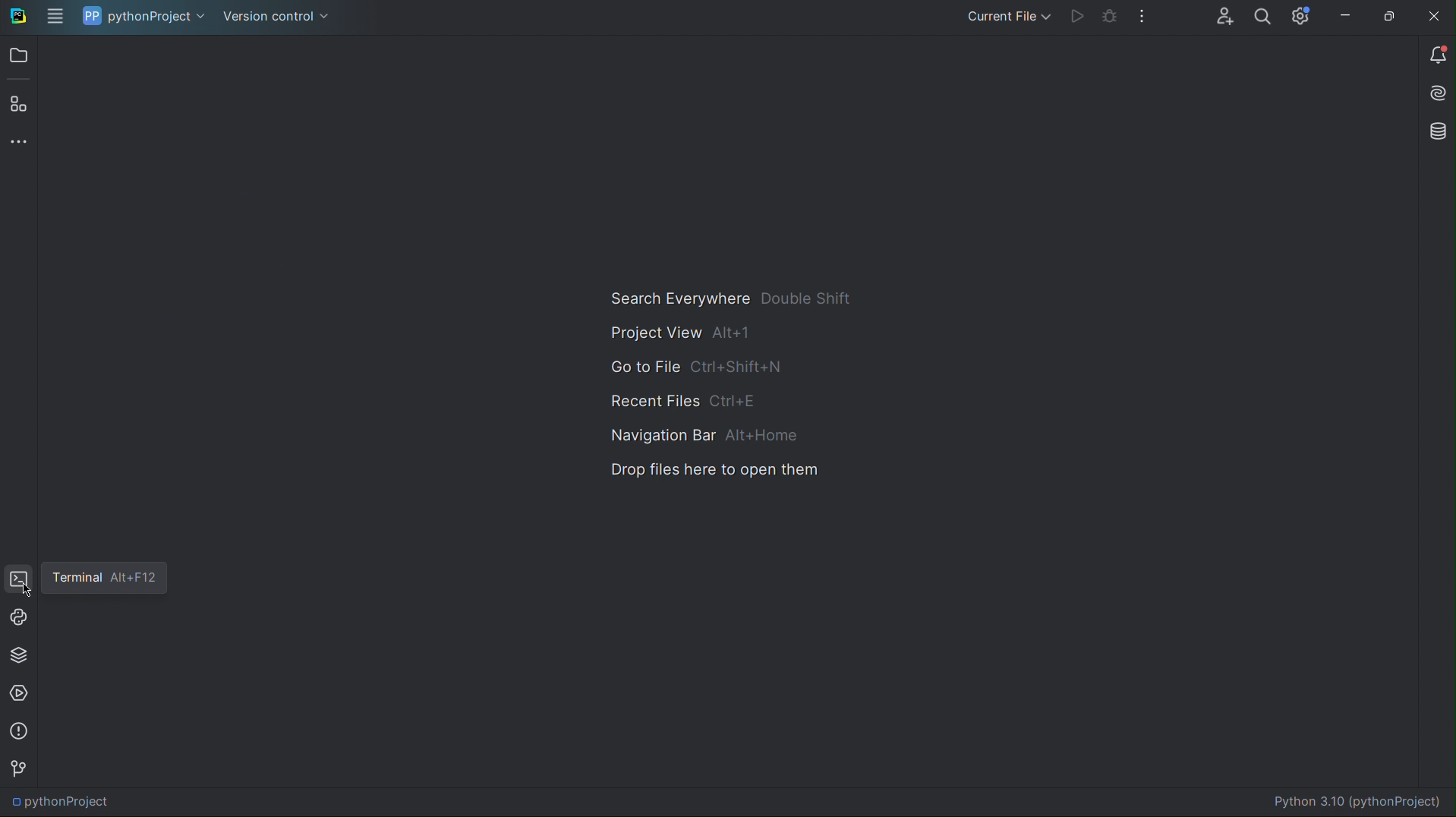 This screenshot has height=817, width=1456. What do you see at coordinates (680, 400) in the screenshot?
I see `Recent Files` at bounding box center [680, 400].